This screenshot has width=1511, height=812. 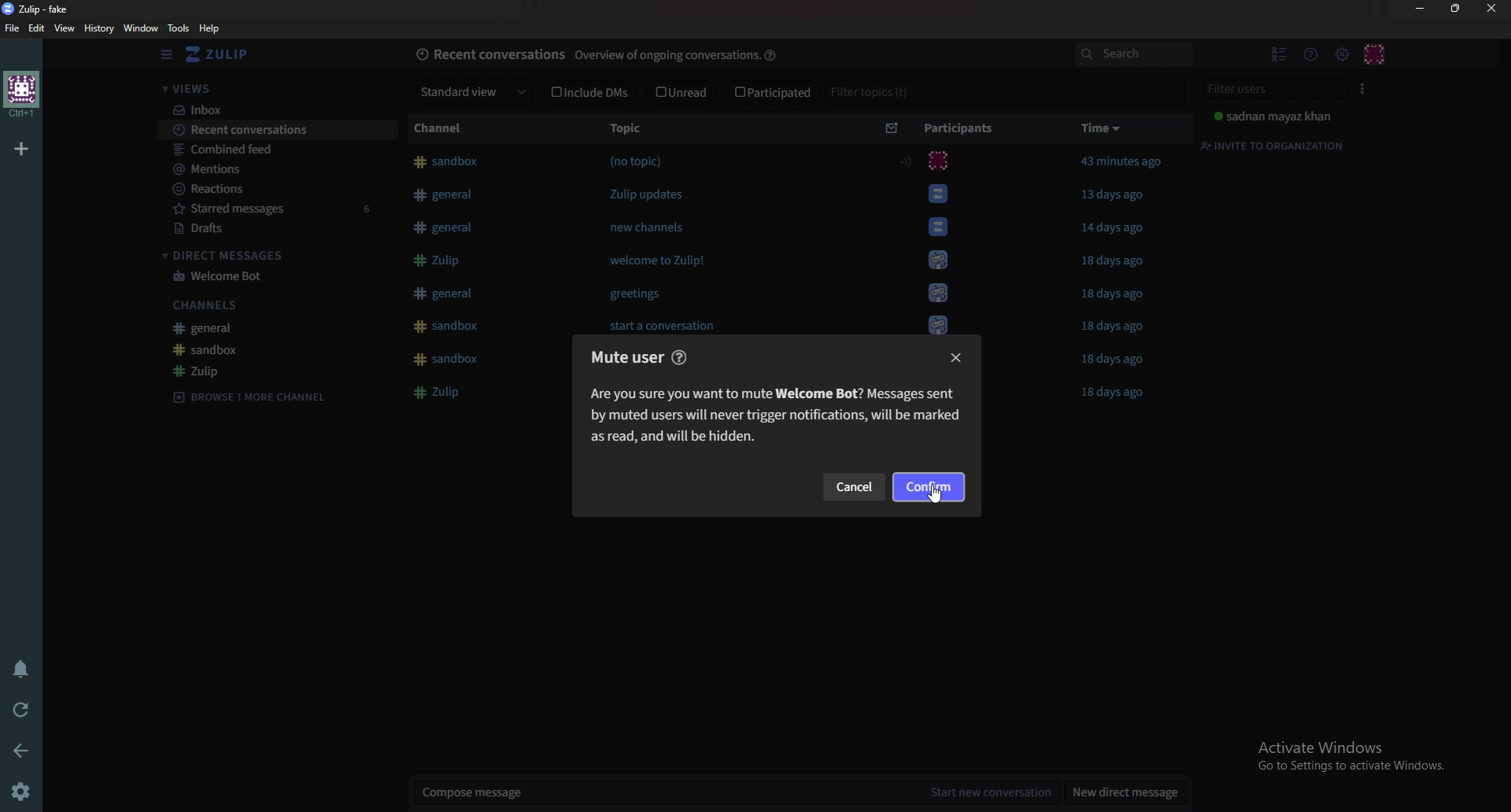 I want to click on # Zulip, so click(x=442, y=394).